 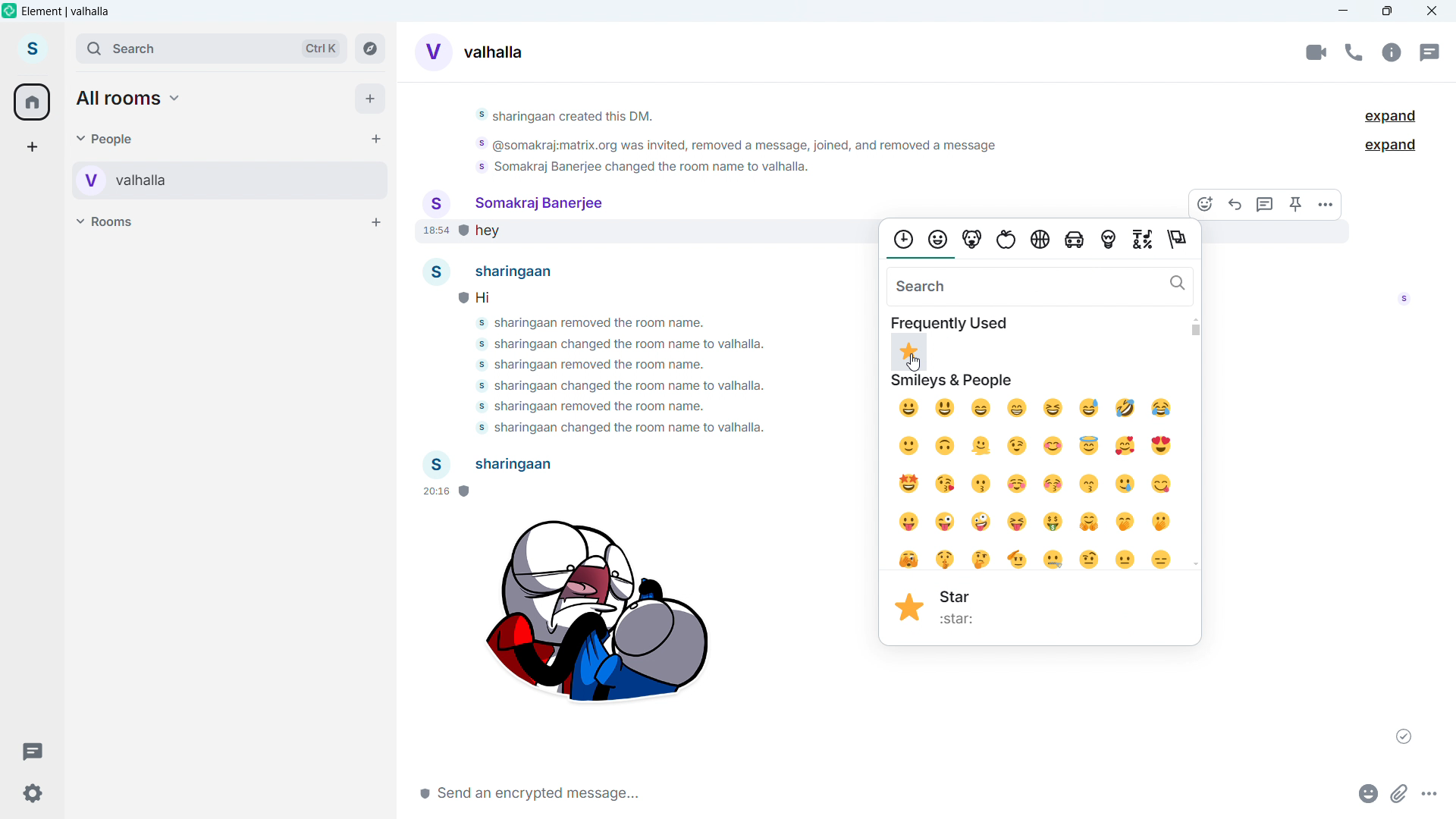 I want to click on grinning face, so click(x=908, y=410).